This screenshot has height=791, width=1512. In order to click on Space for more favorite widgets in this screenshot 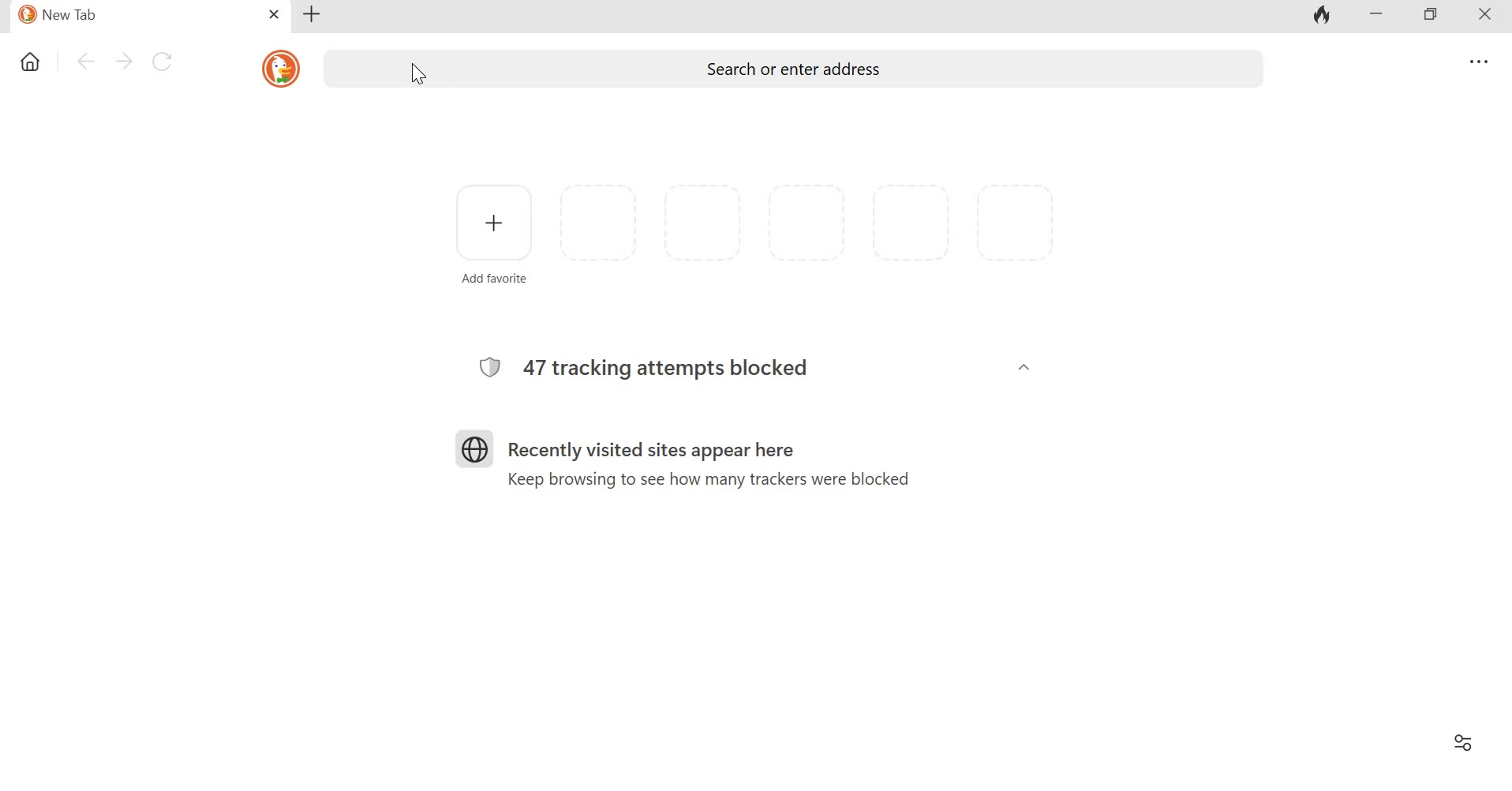, I will do `click(807, 223)`.